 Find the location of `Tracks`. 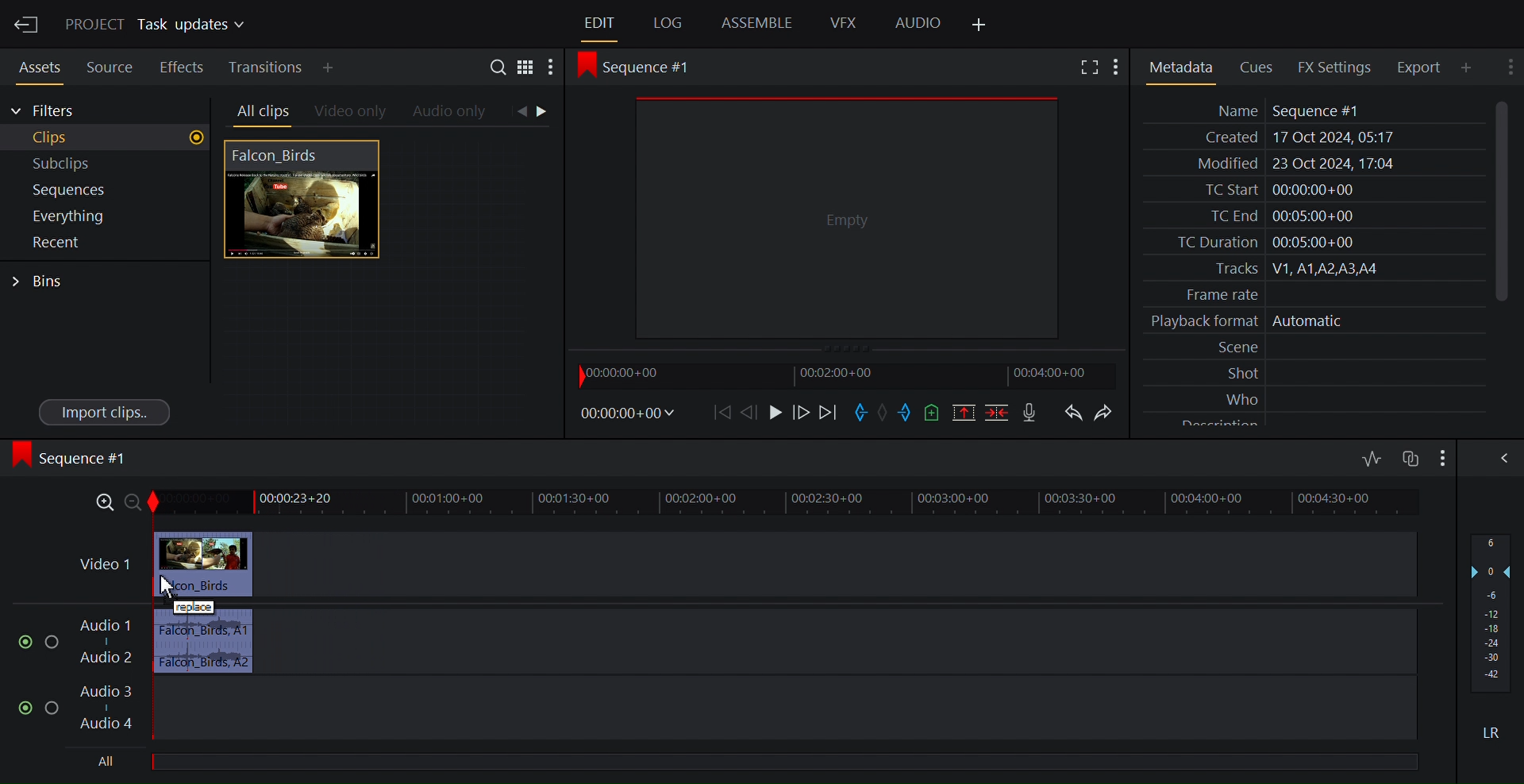

Tracks is located at coordinates (1312, 269).